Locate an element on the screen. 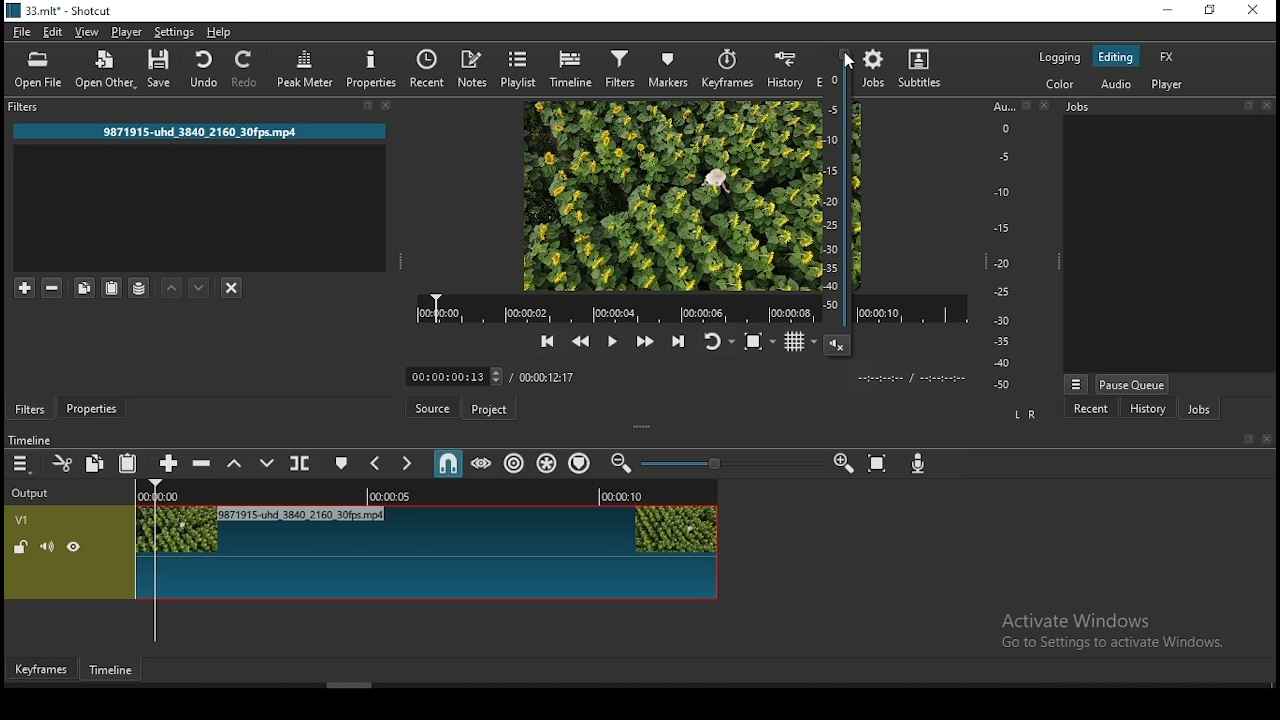  video volume control is located at coordinates (835, 209).